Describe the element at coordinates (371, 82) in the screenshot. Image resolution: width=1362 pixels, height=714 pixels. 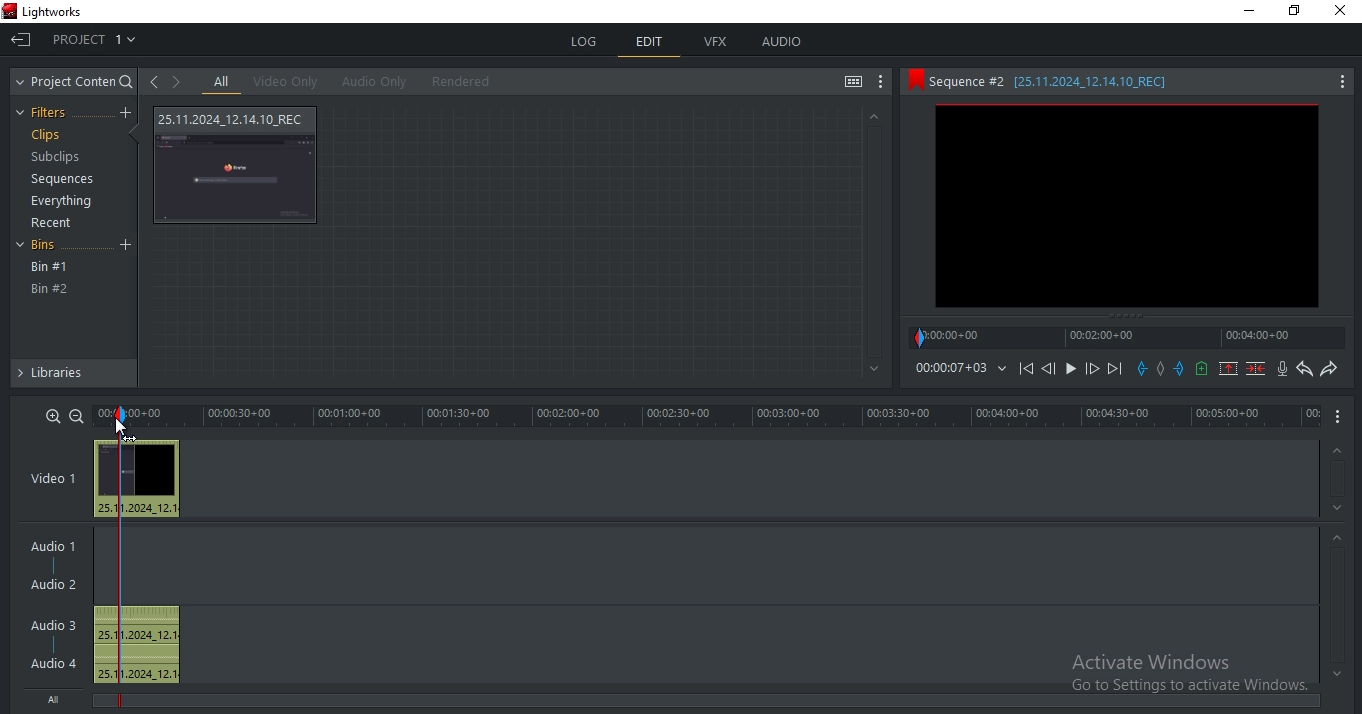
I see `audio only` at that location.